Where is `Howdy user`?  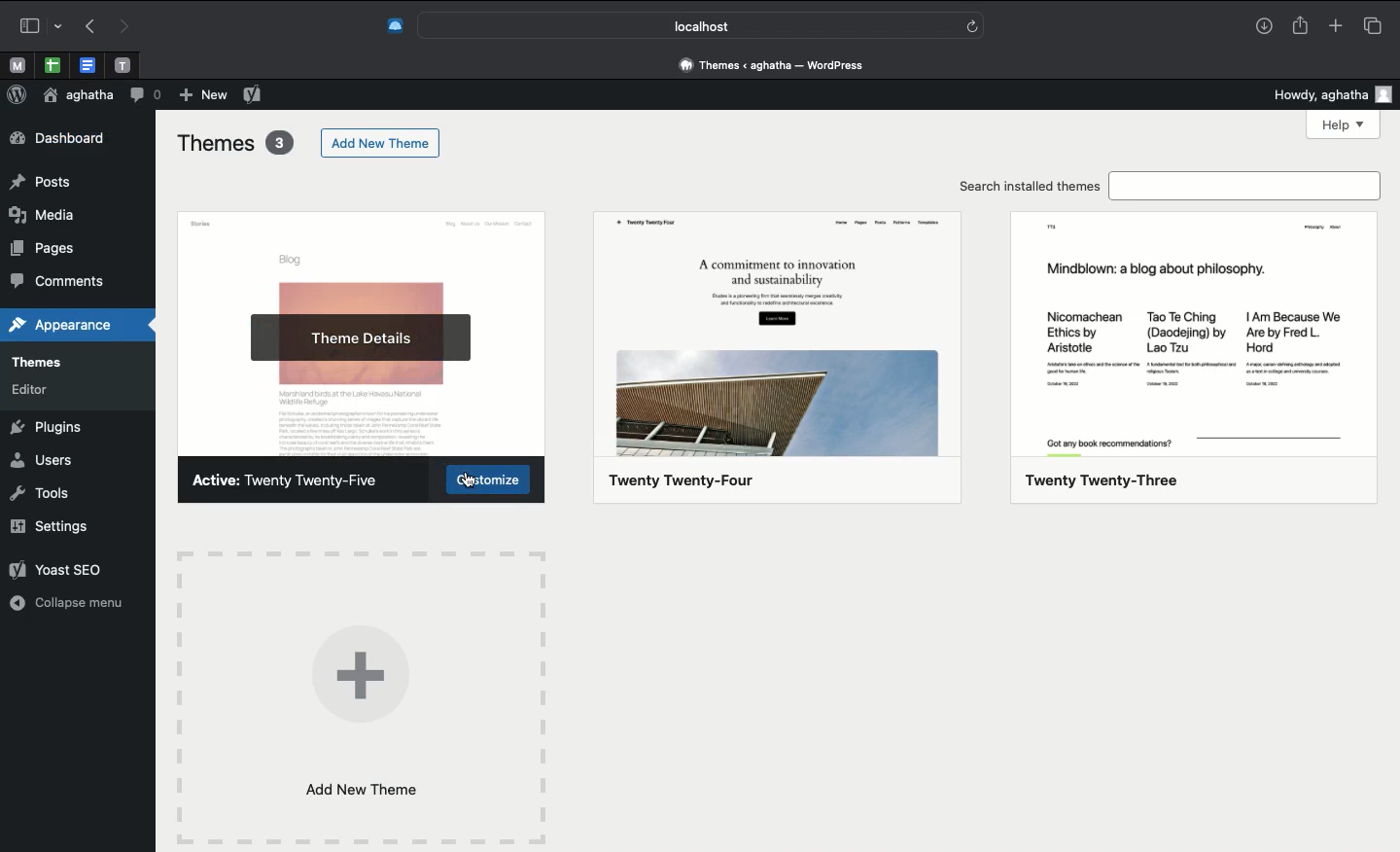
Howdy user is located at coordinates (1327, 94).